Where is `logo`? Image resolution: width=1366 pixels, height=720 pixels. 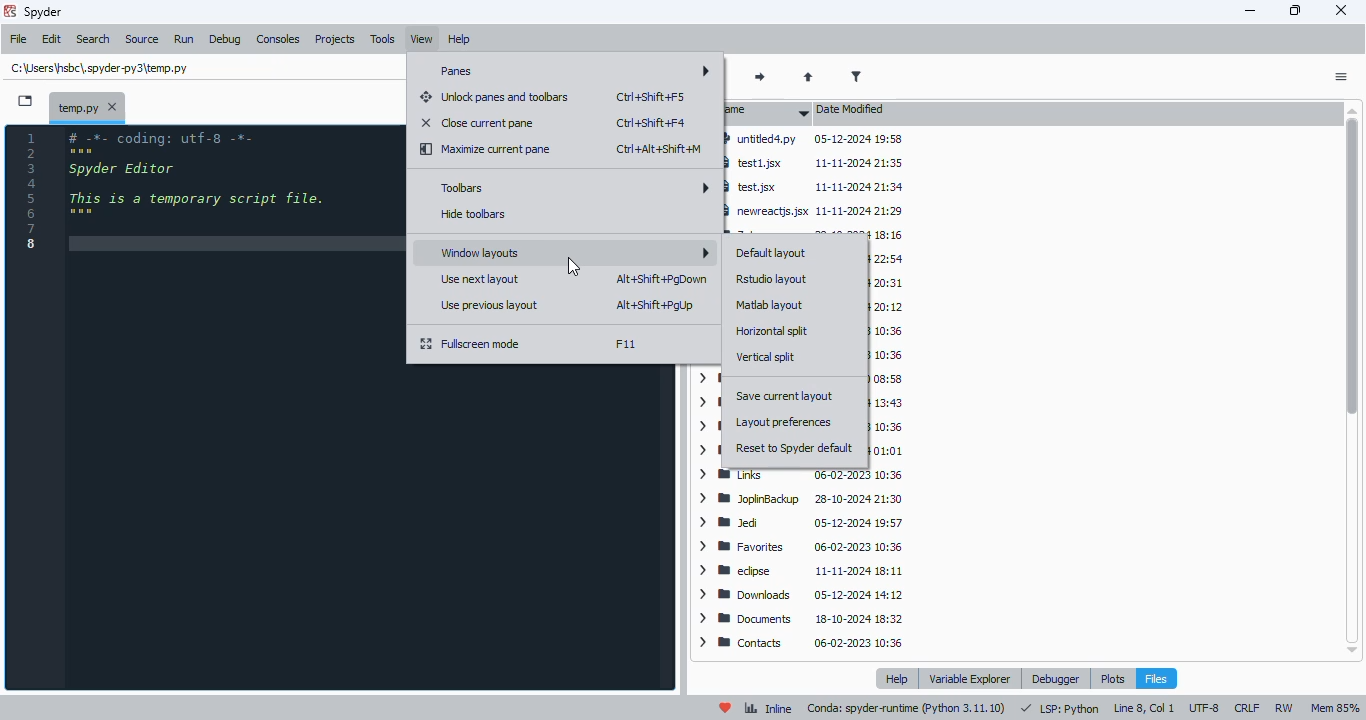
logo is located at coordinates (9, 11).